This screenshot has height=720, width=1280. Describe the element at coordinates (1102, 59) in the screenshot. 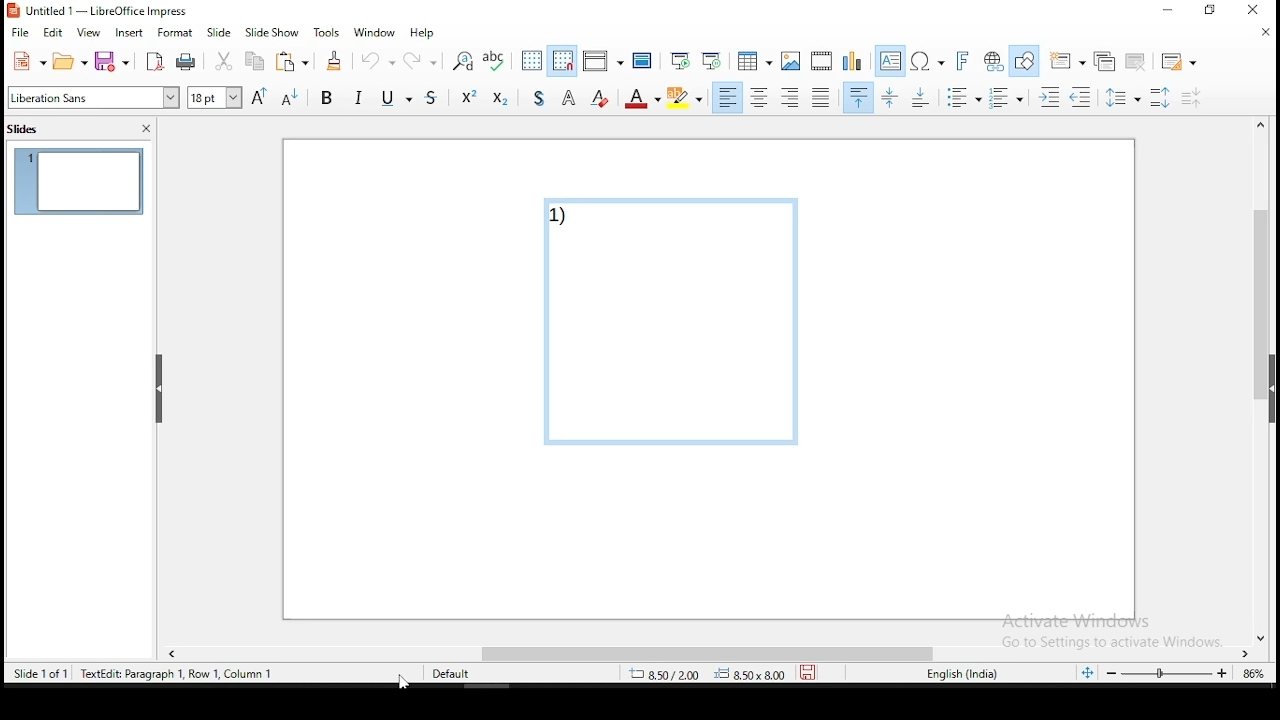

I see `duplicate slide` at that location.